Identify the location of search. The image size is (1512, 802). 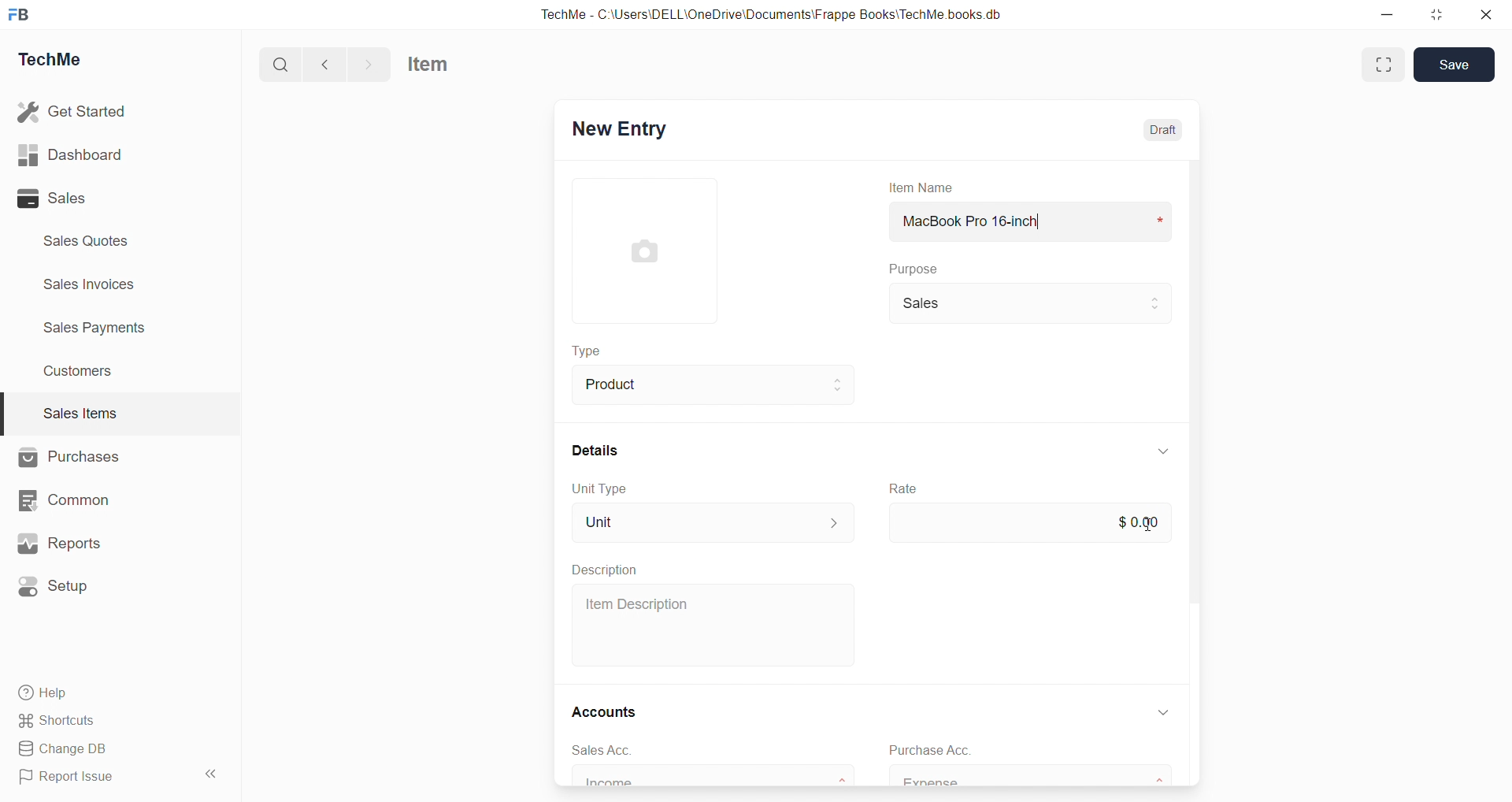
(280, 64).